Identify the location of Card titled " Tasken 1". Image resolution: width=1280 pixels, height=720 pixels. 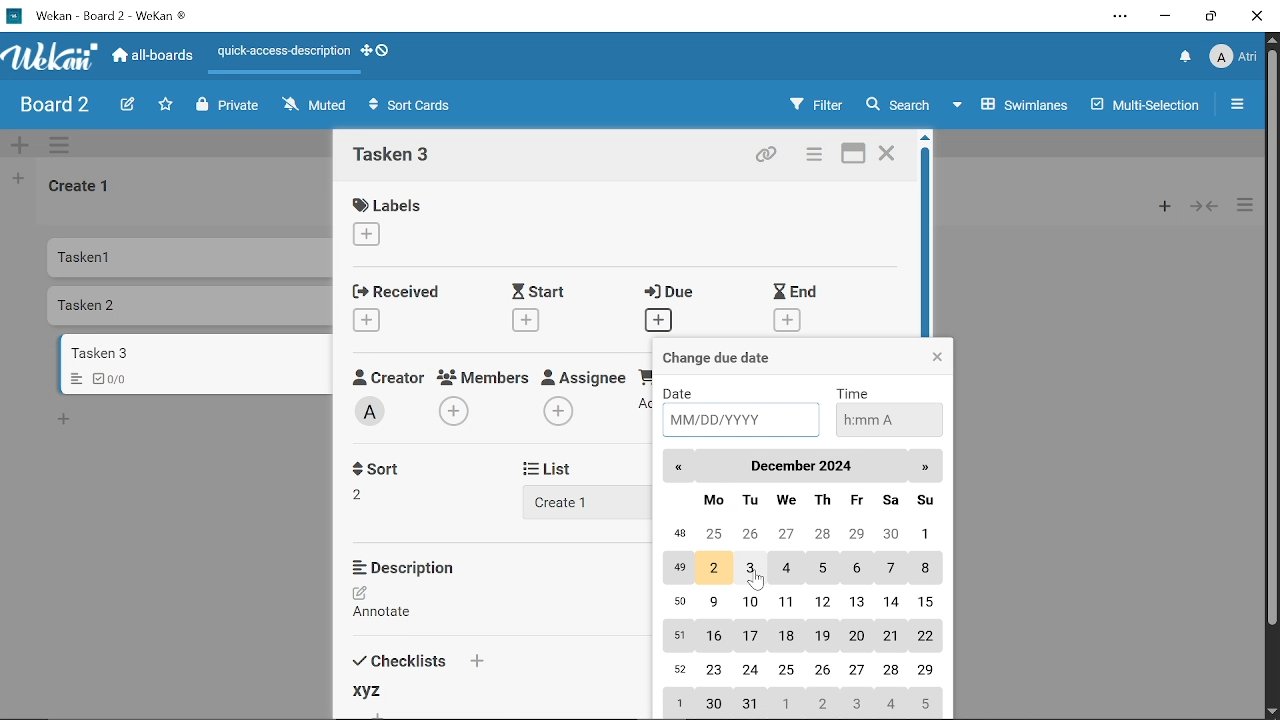
(192, 257).